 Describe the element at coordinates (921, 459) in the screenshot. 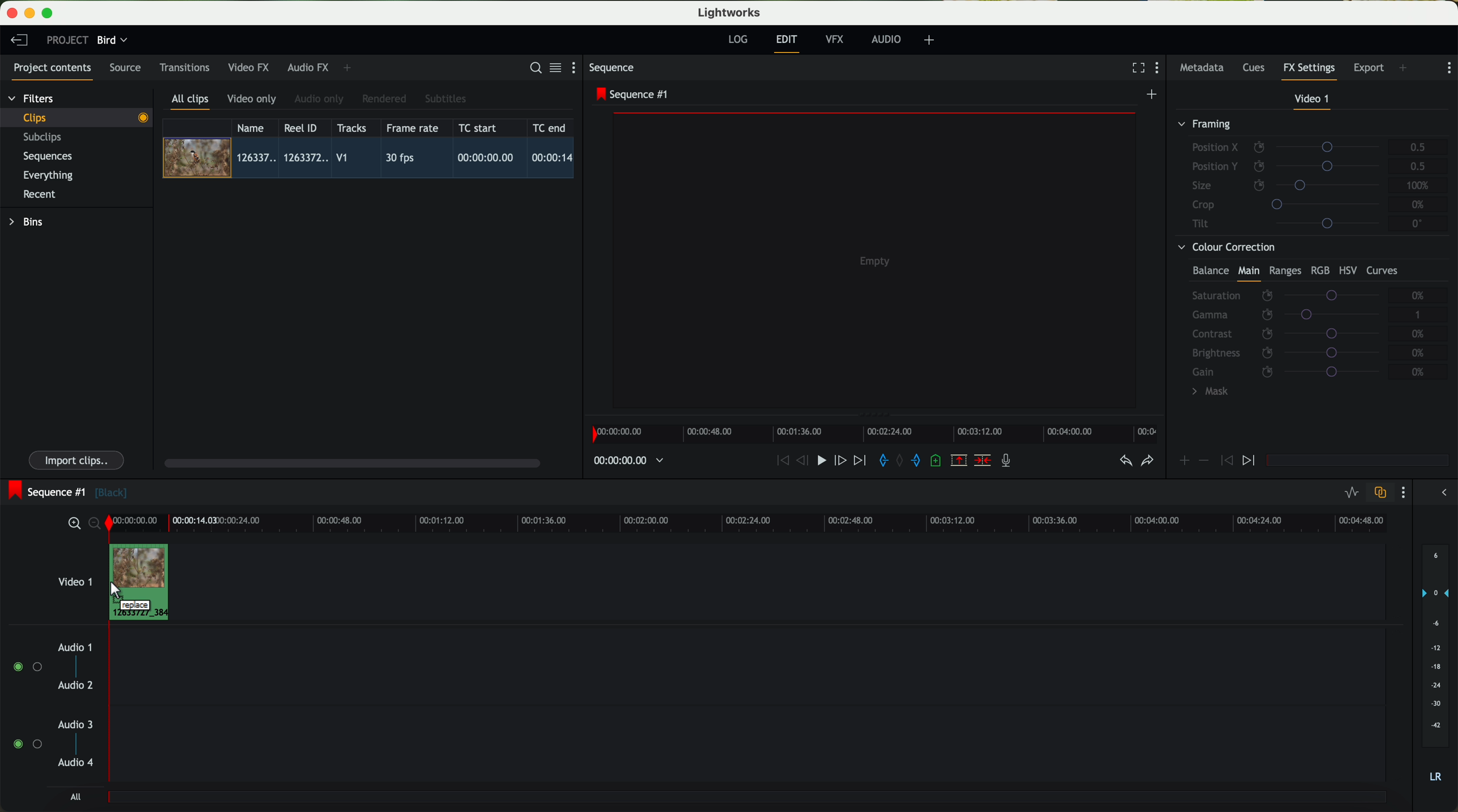

I see `add 'out' mark` at that location.